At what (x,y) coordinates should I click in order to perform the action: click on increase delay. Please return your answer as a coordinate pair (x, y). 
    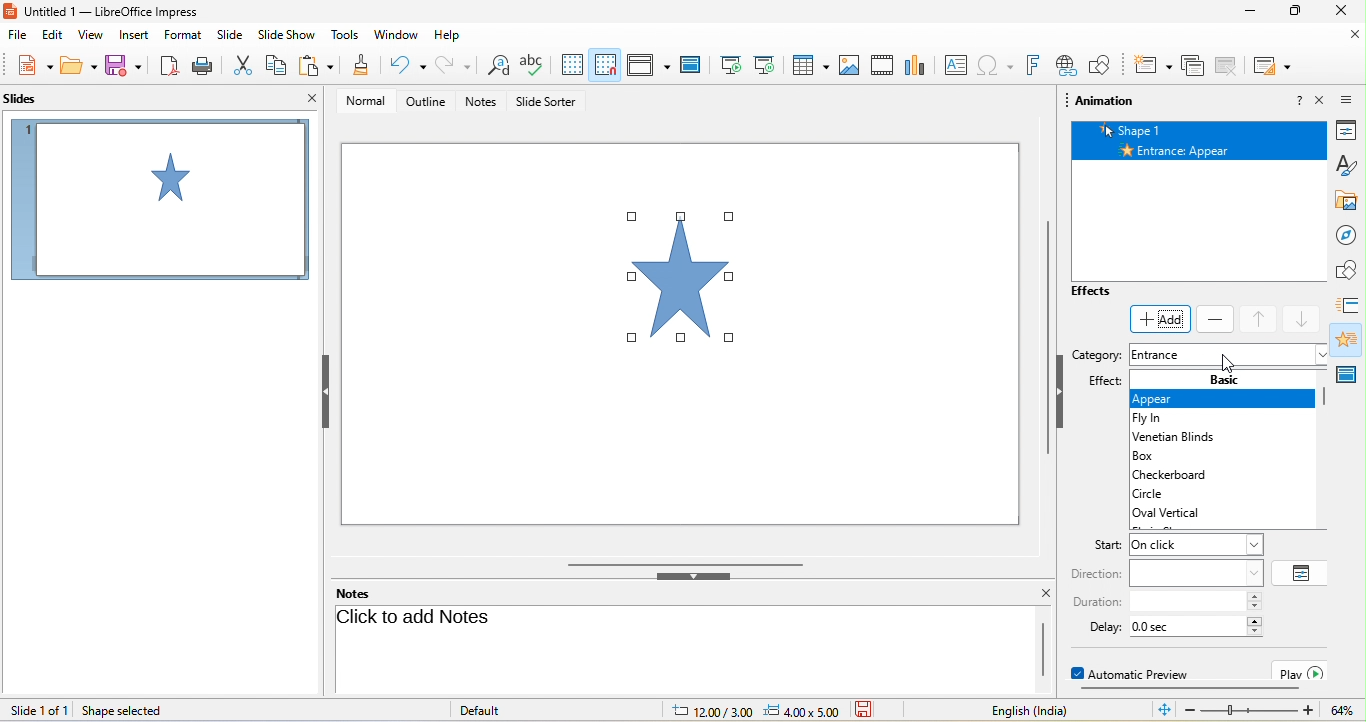
    Looking at the image, I should click on (1255, 620).